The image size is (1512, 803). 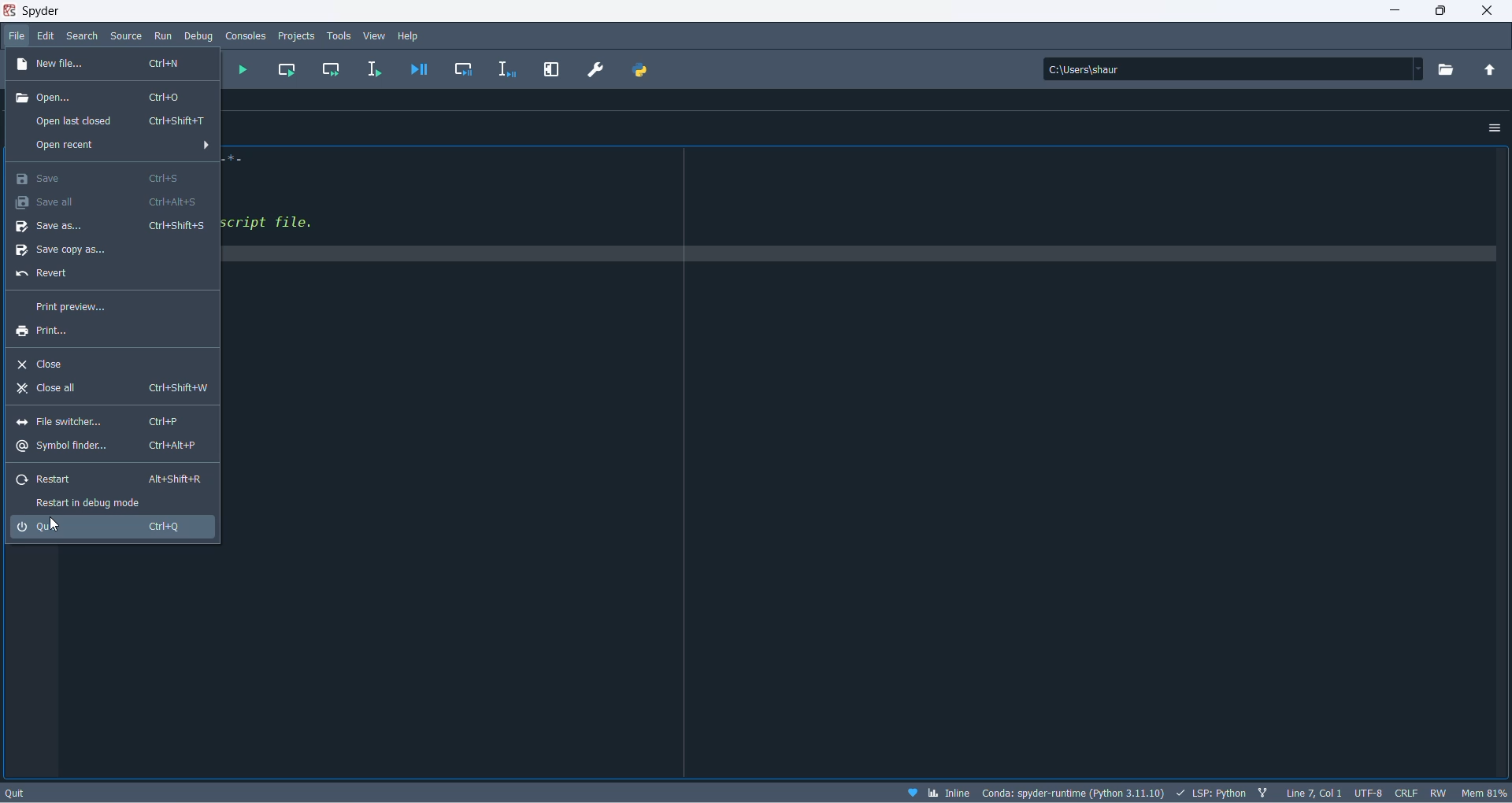 I want to click on print preview, so click(x=112, y=309).